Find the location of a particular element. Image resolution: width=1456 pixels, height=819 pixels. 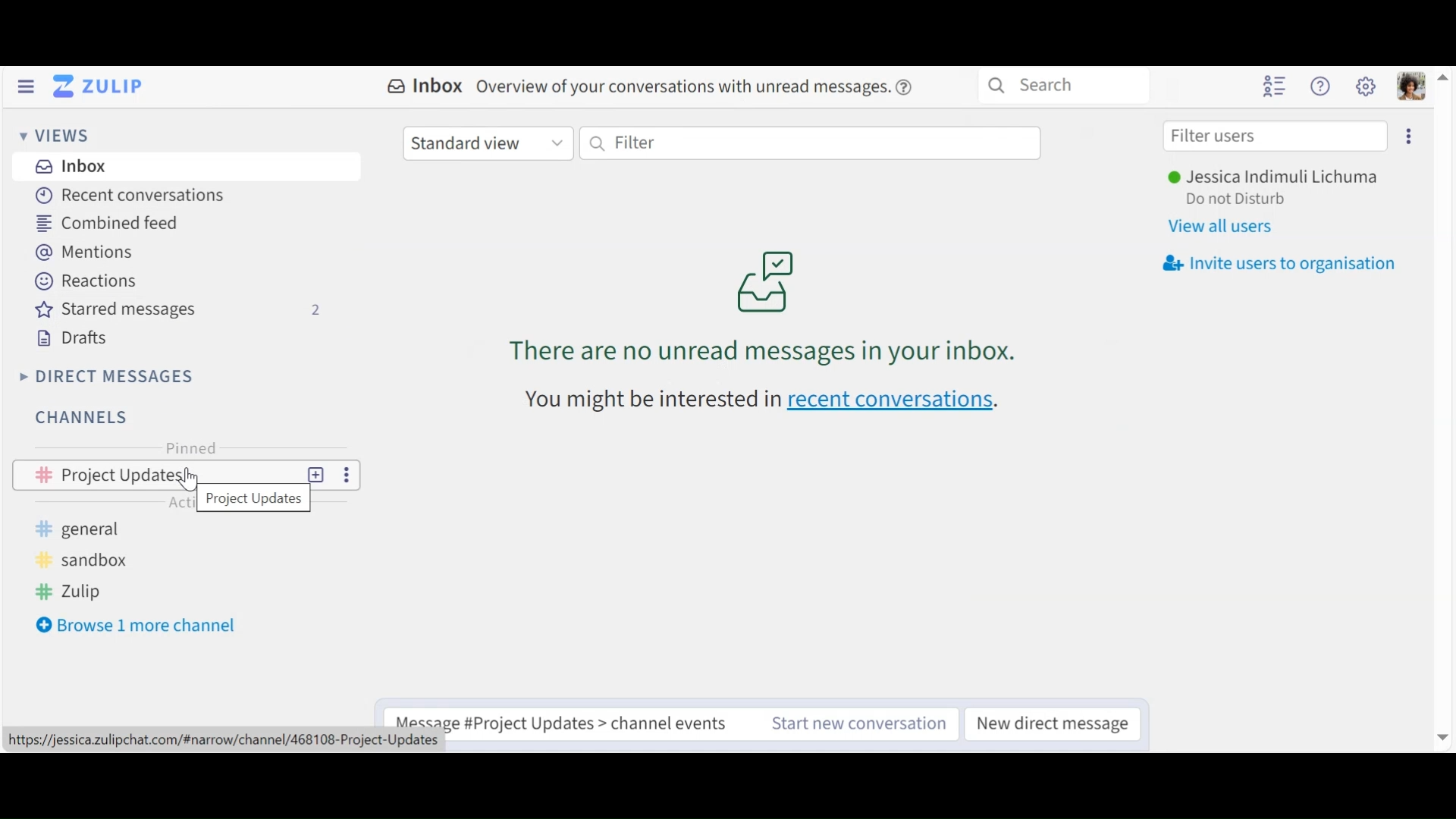

Reactions is located at coordinates (88, 282).